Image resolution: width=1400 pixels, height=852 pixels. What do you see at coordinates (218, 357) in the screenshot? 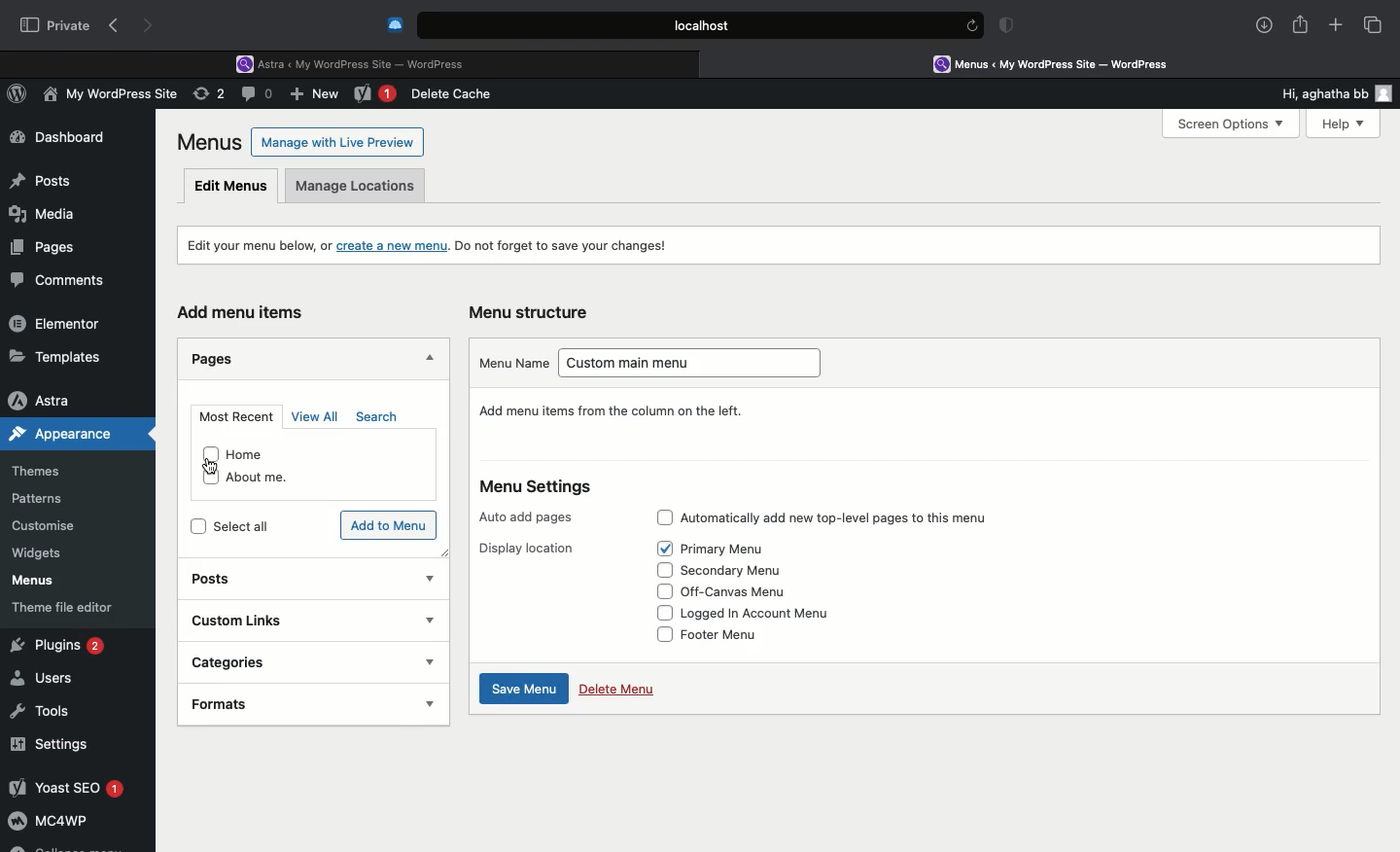
I see `Pages` at bounding box center [218, 357].